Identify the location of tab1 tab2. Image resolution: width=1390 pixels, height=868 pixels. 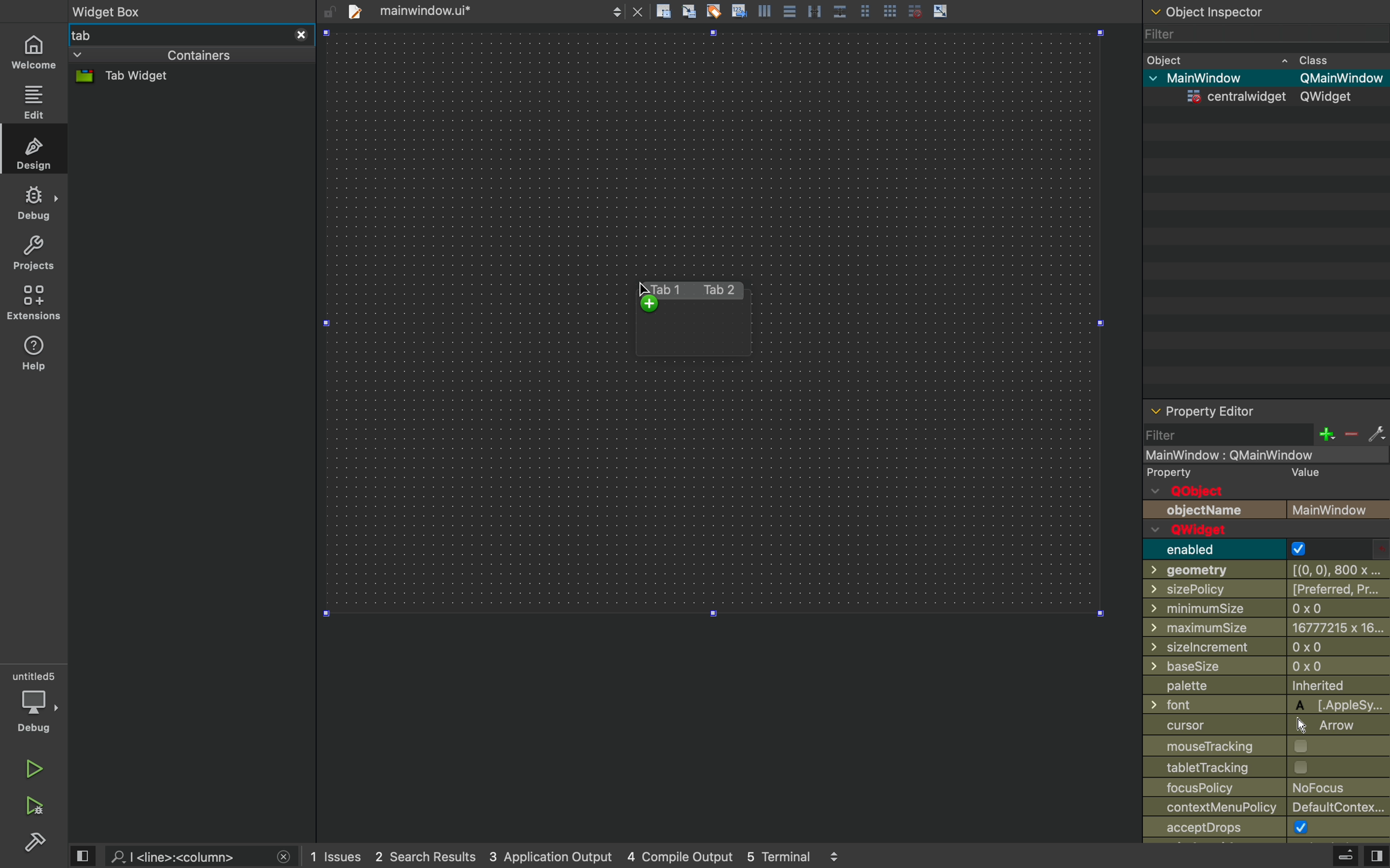
(688, 289).